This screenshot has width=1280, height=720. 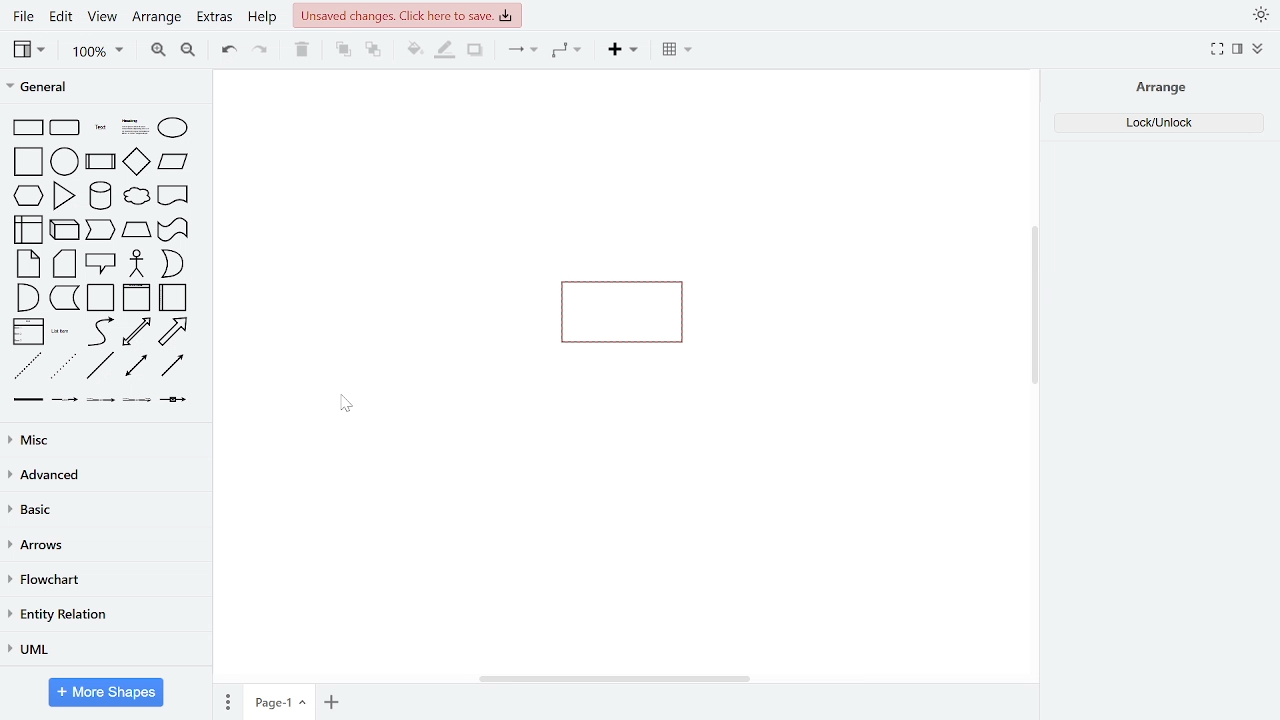 What do you see at coordinates (99, 298) in the screenshot?
I see `container` at bounding box center [99, 298].